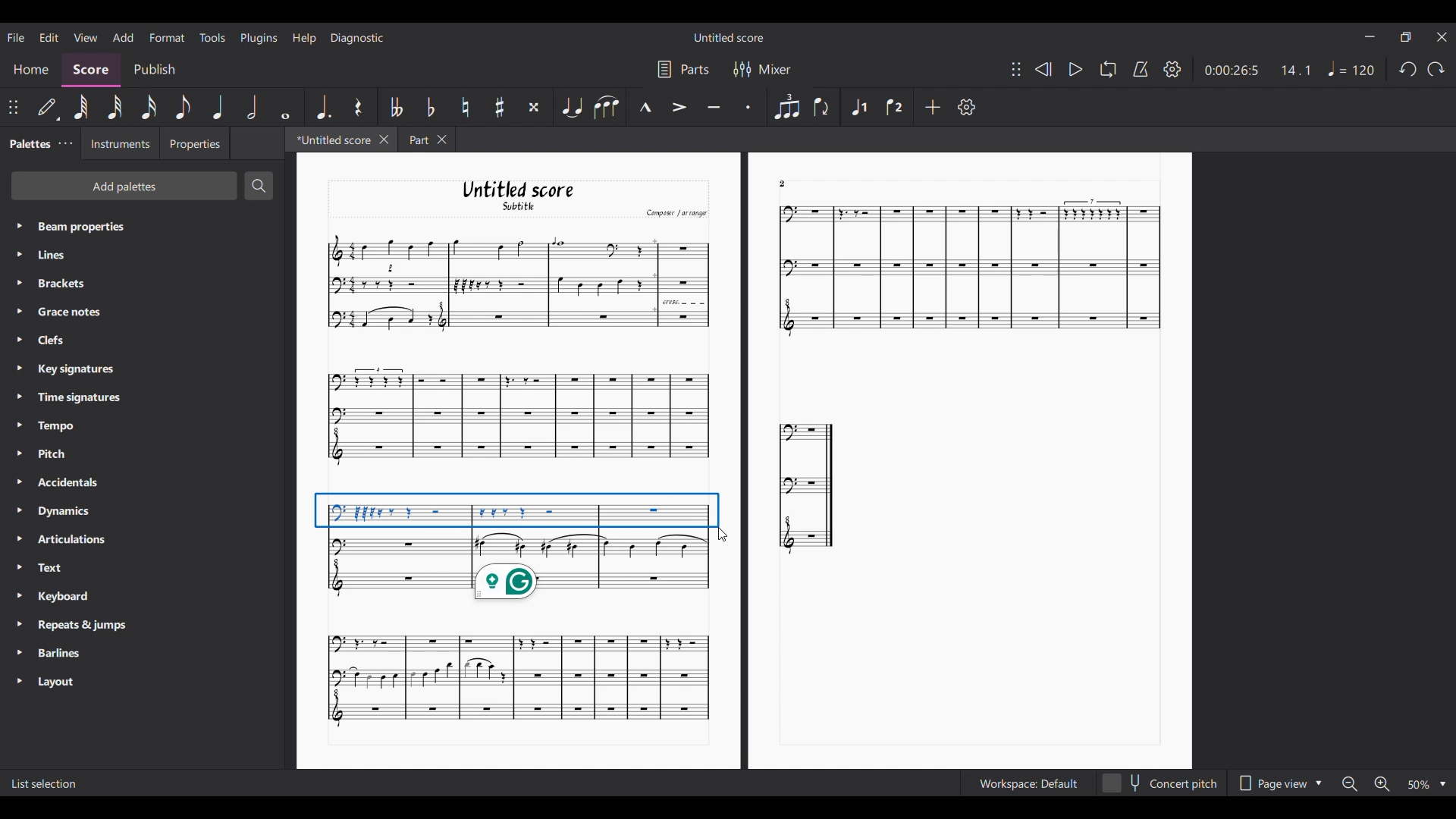  Describe the element at coordinates (1108, 68) in the screenshot. I see `Loop playback` at that location.